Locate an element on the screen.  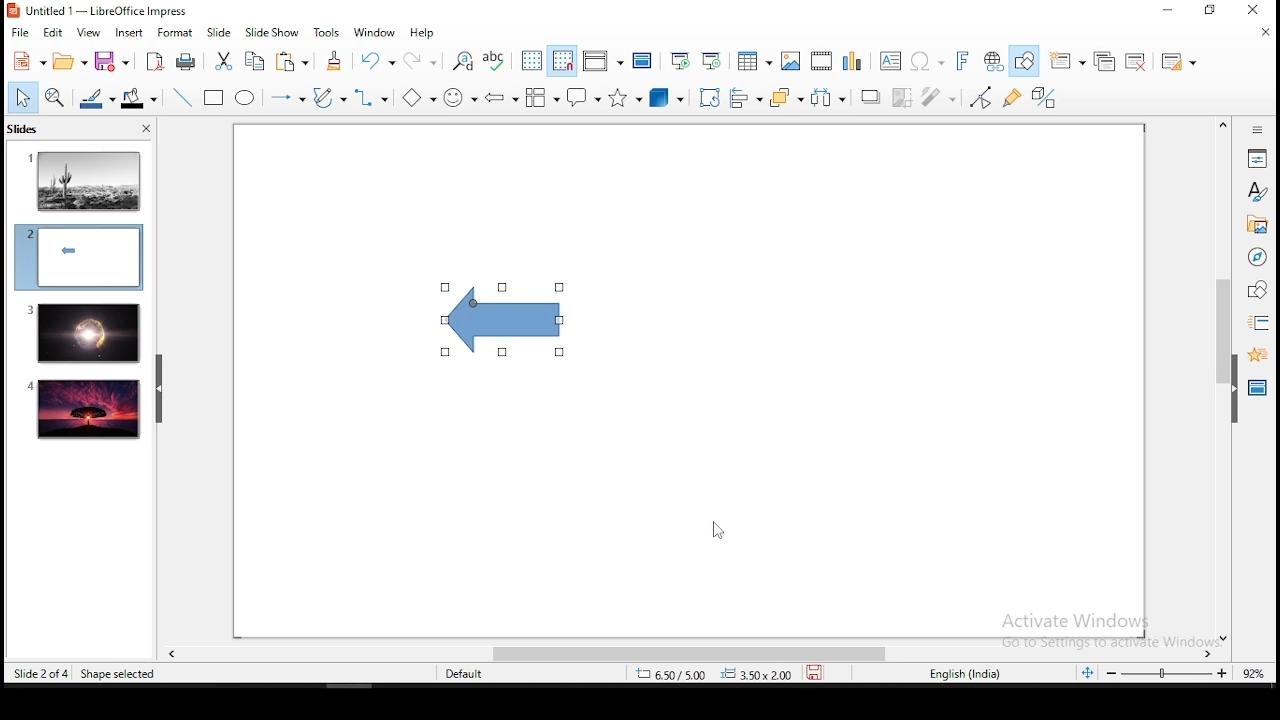
toggle extrusiuon is located at coordinates (1046, 97).